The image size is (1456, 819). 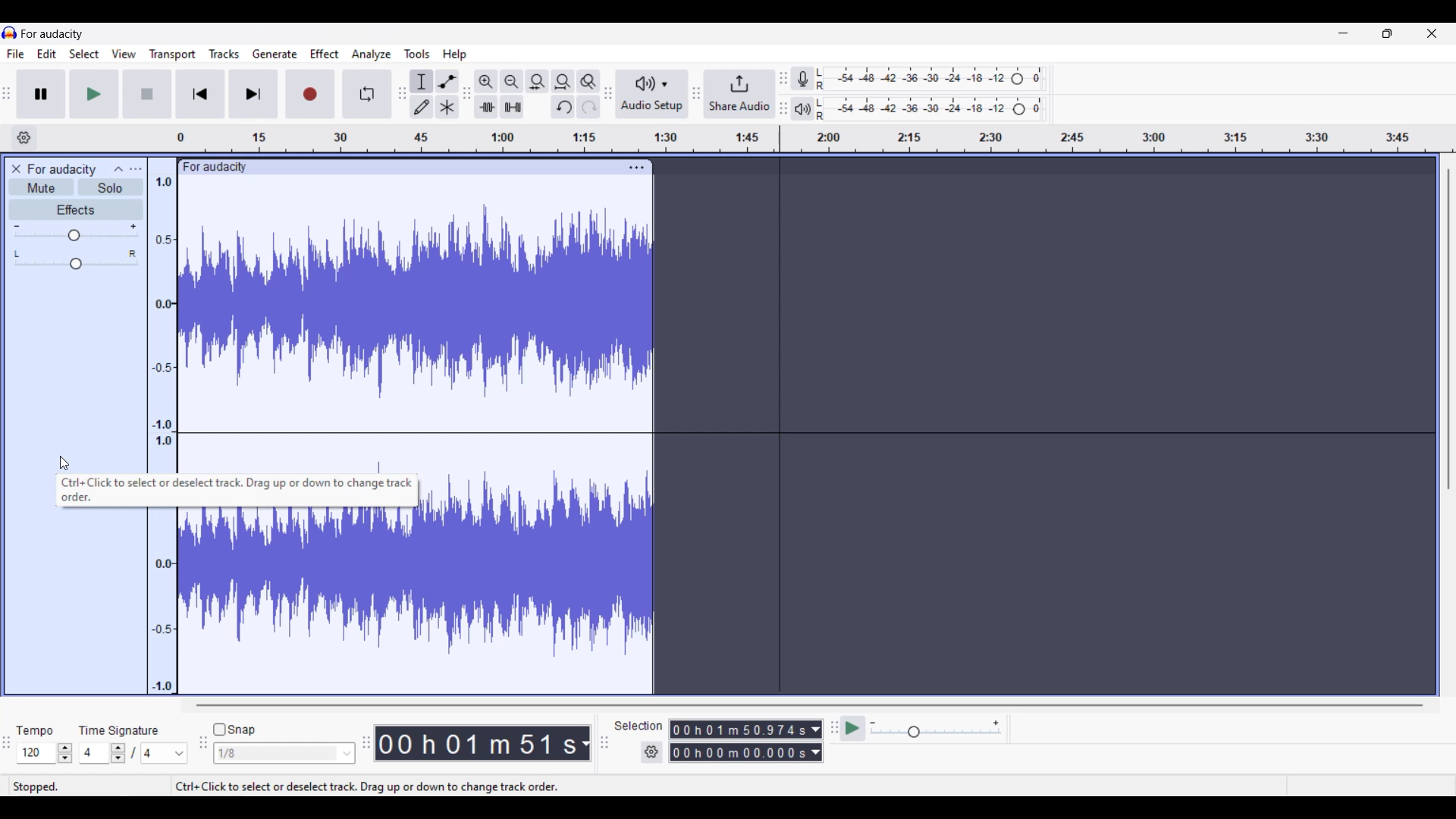 I want to click on Duration measurement options, so click(x=816, y=741).